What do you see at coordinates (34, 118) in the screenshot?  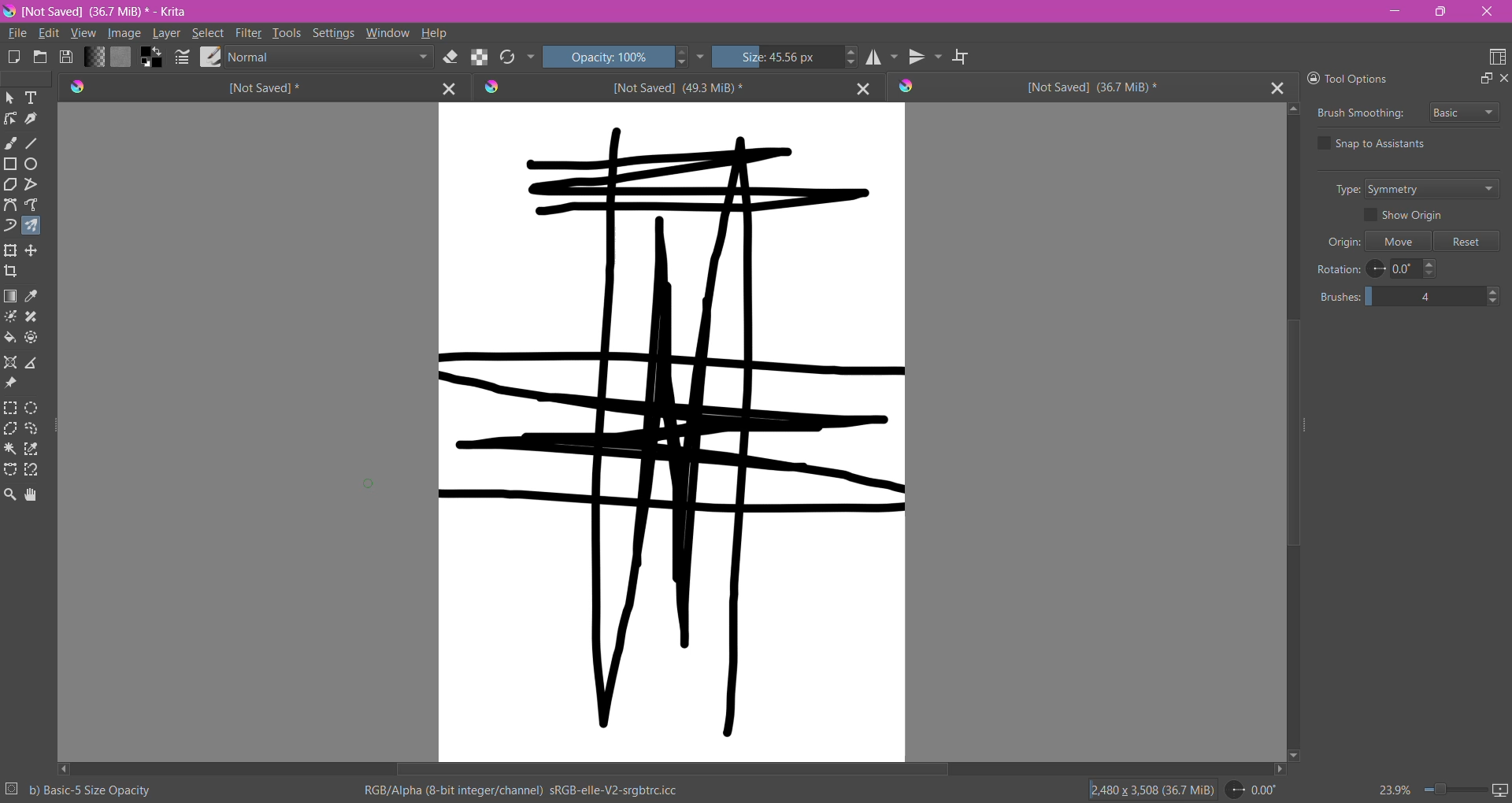 I see `Calligraphy` at bounding box center [34, 118].